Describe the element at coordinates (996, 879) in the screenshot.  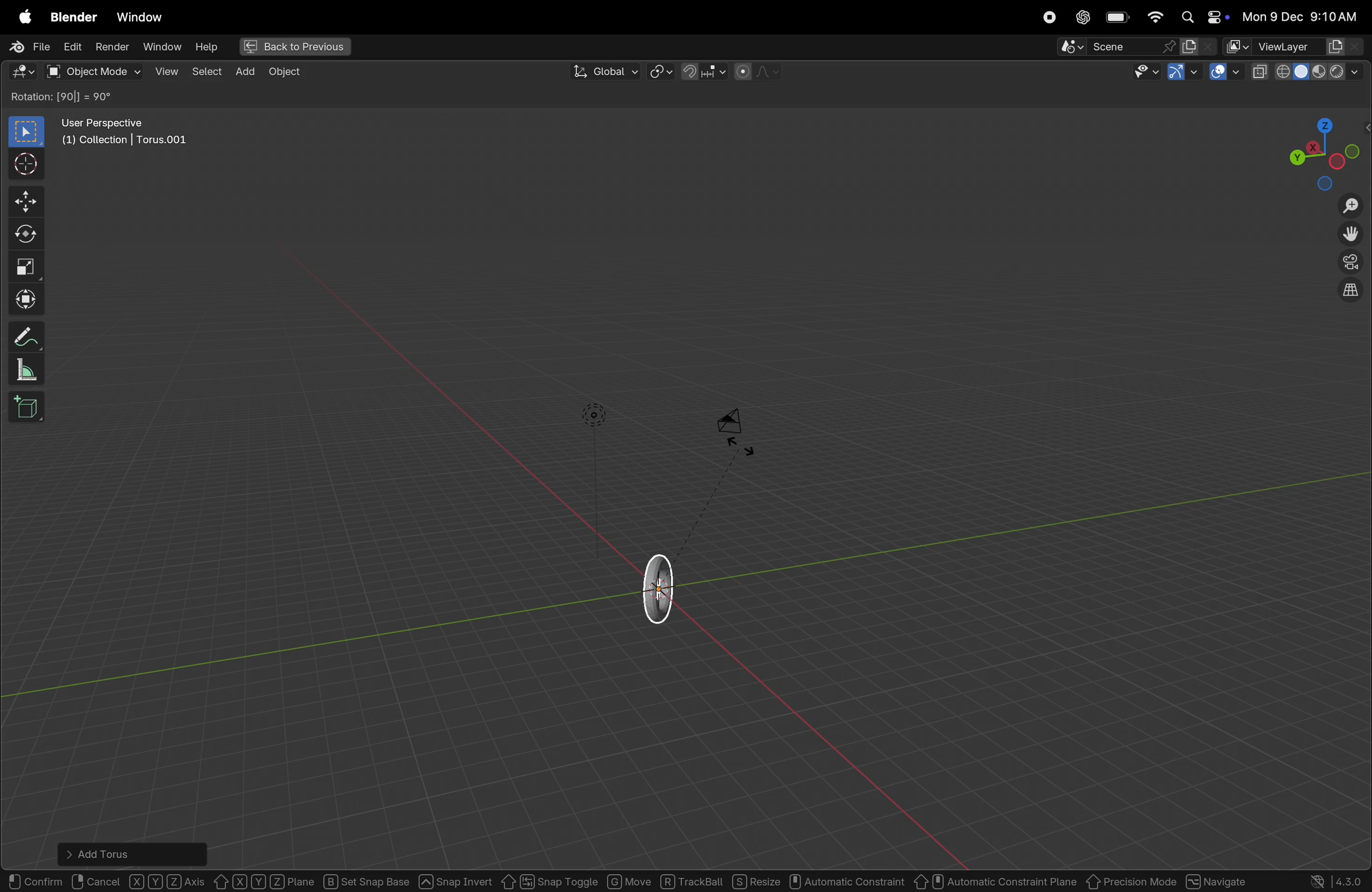
I see `automatic constraint plane` at that location.